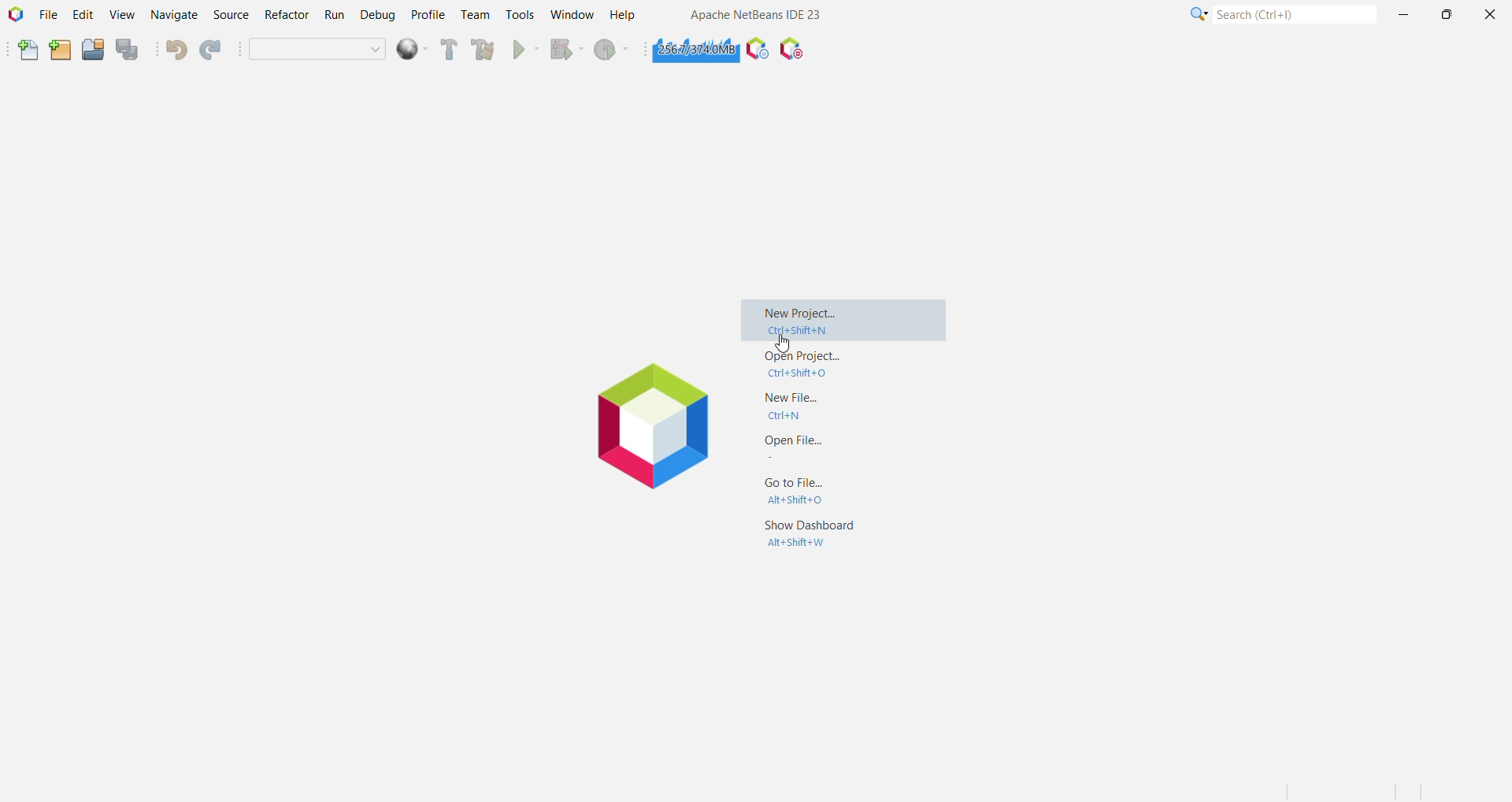  I want to click on Set Project Configuration, so click(317, 49).